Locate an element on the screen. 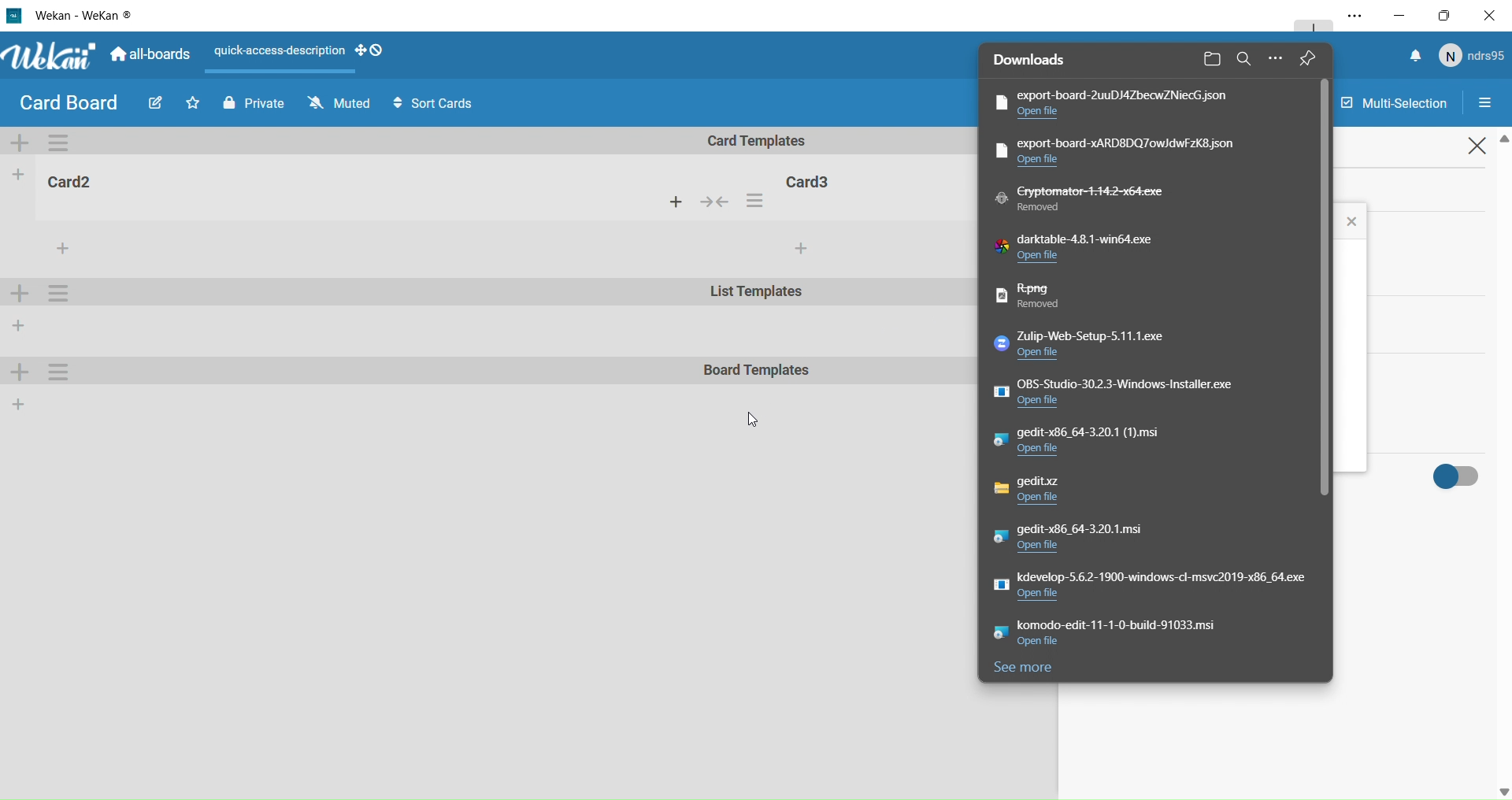 This screenshot has height=800, width=1512. Card Templates is located at coordinates (768, 141).